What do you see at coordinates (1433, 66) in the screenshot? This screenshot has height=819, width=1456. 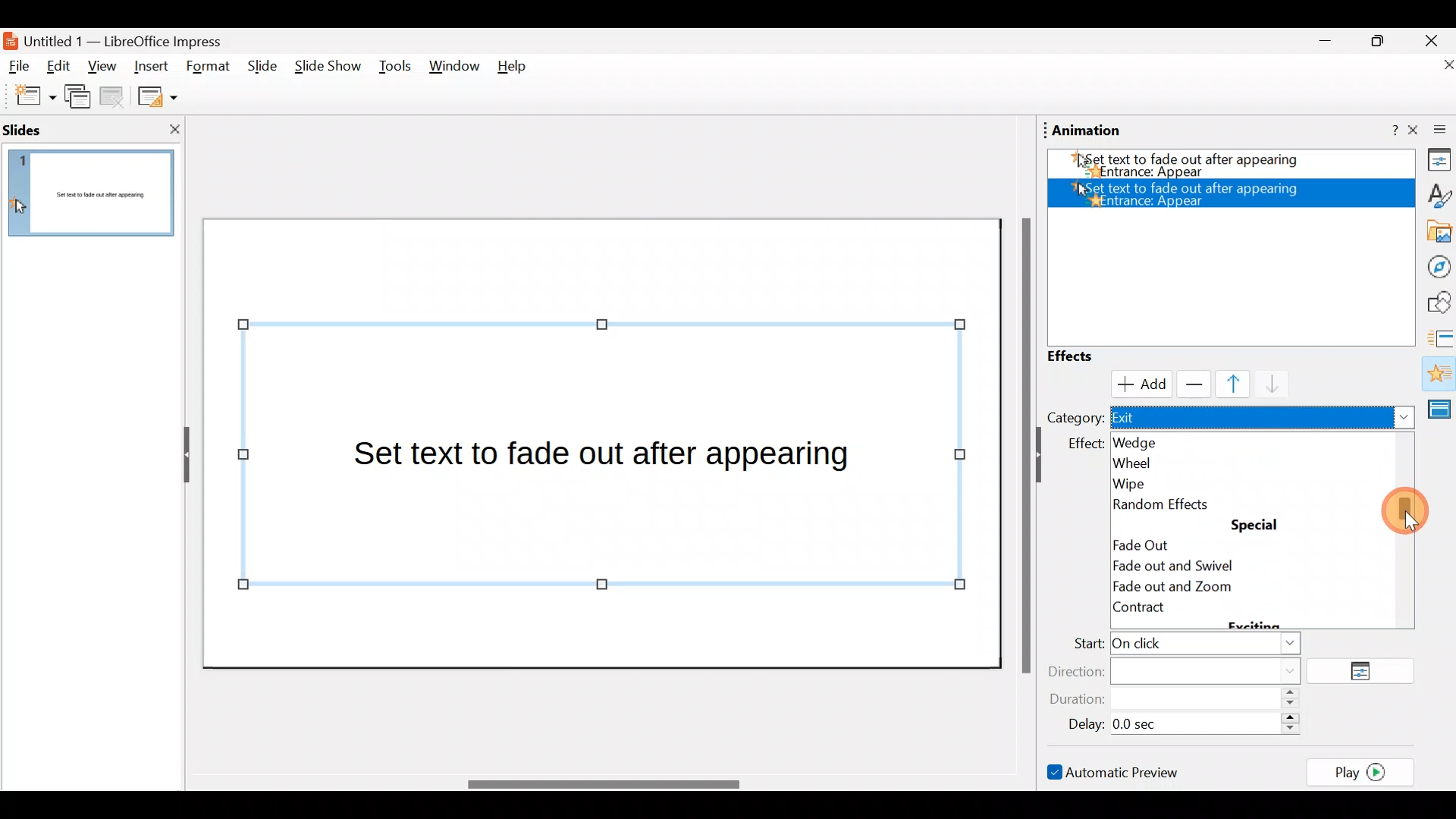 I see `Close document` at bounding box center [1433, 66].